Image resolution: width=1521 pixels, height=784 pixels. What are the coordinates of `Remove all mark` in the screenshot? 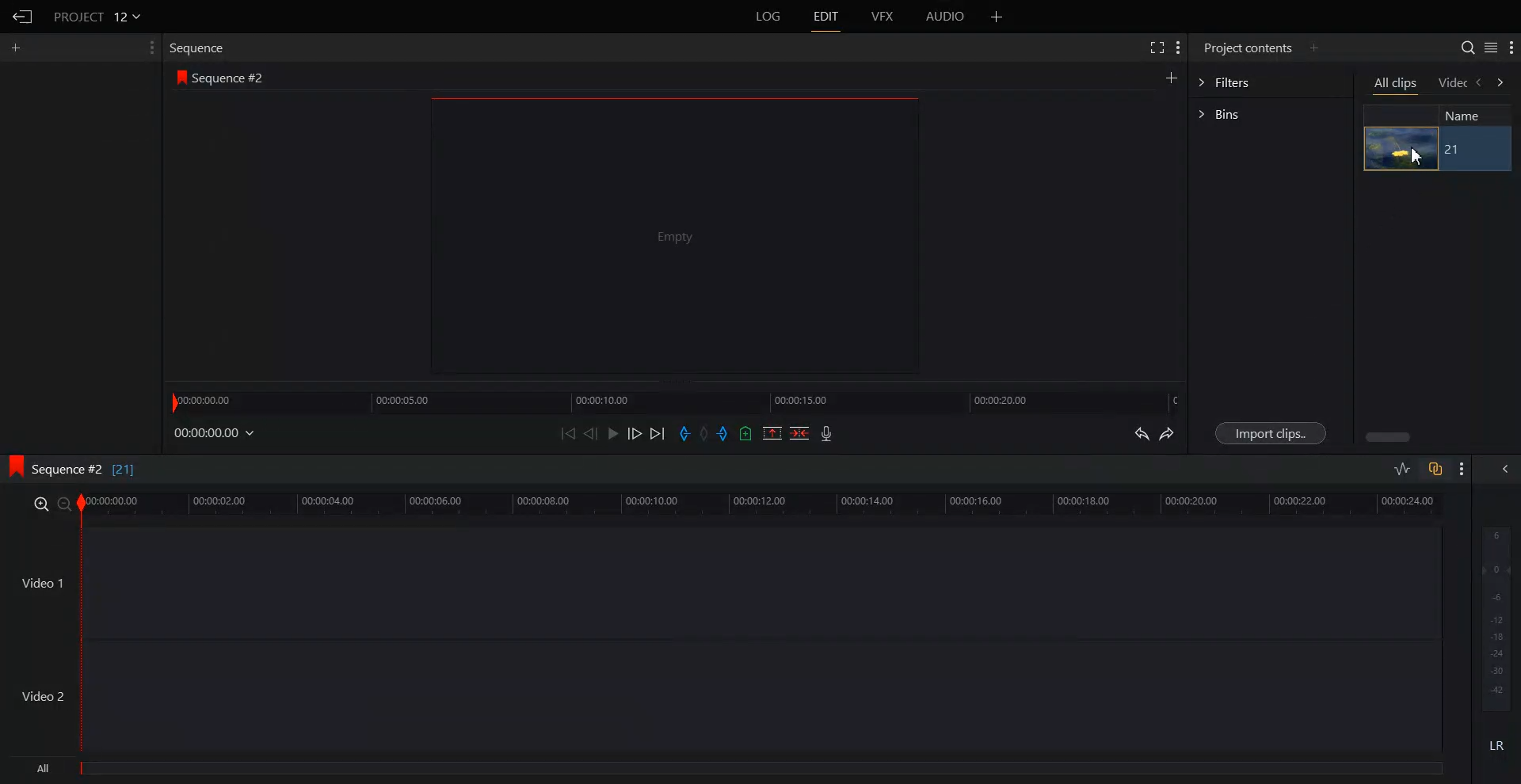 It's located at (706, 433).